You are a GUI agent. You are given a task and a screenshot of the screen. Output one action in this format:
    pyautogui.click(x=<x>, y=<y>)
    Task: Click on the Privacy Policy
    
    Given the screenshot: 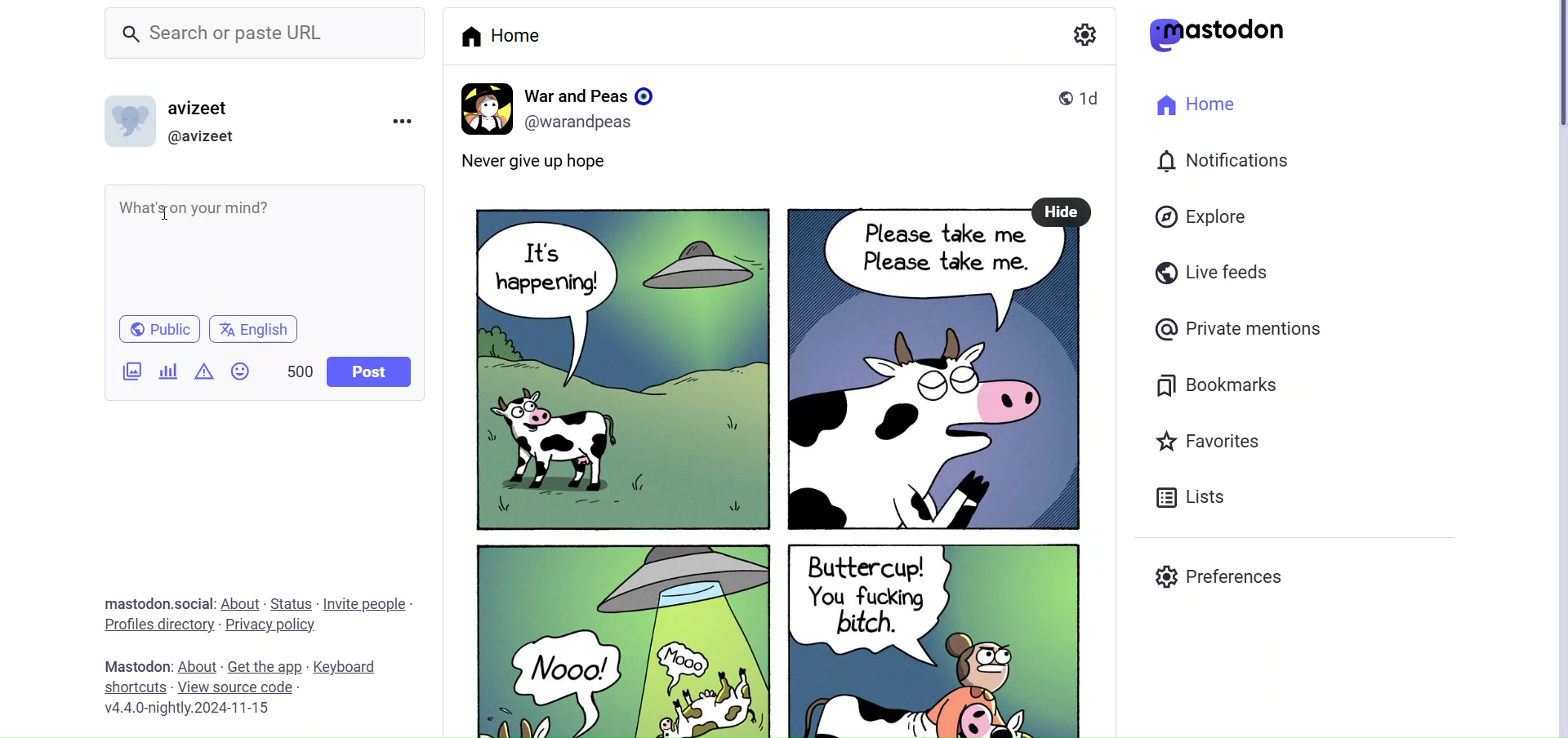 What is the action you would take?
    pyautogui.click(x=272, y=625)
    